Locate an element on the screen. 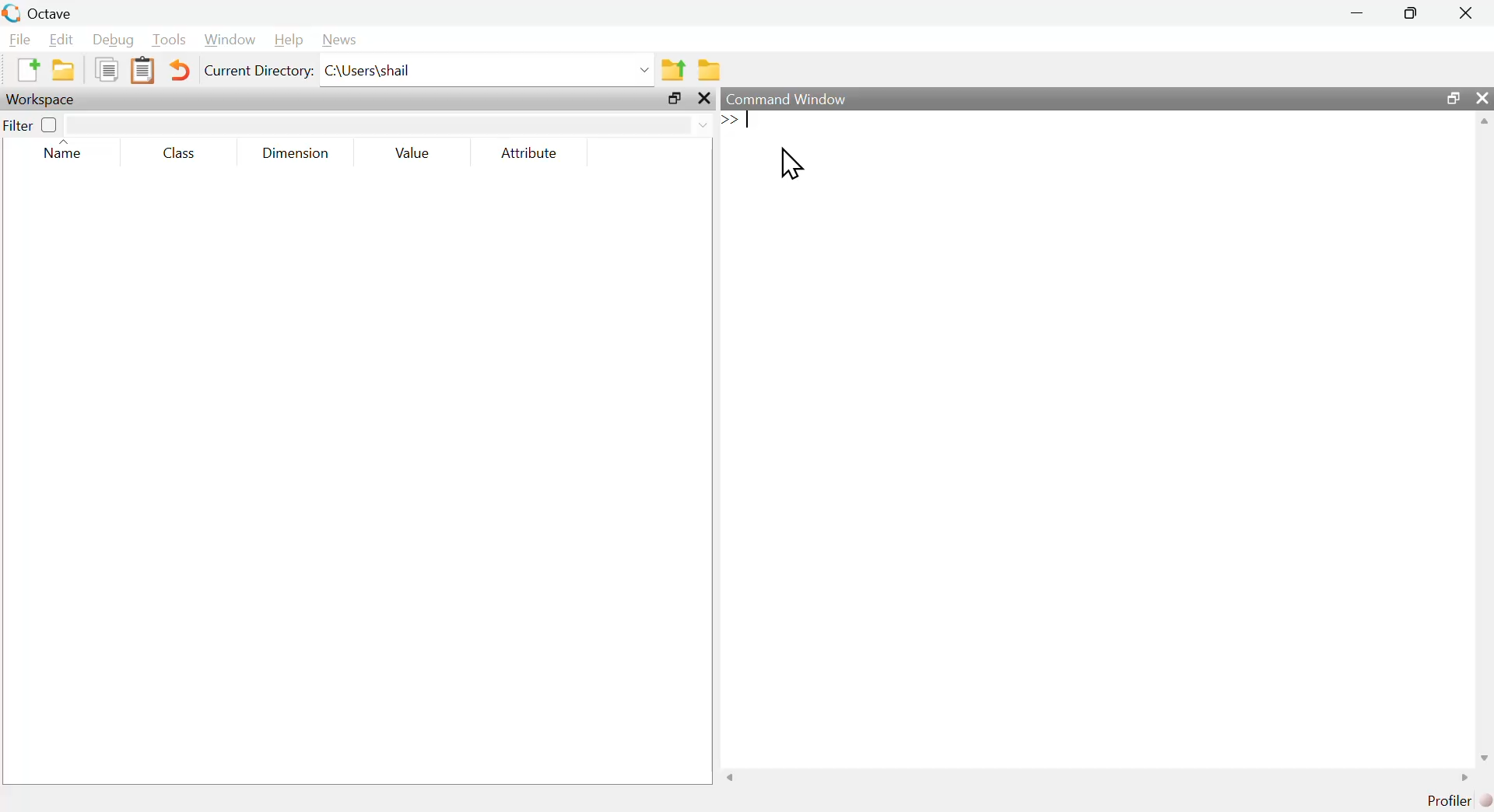 This screenshot has width=1494, height=812. restore is located at coordinates (675, 99).